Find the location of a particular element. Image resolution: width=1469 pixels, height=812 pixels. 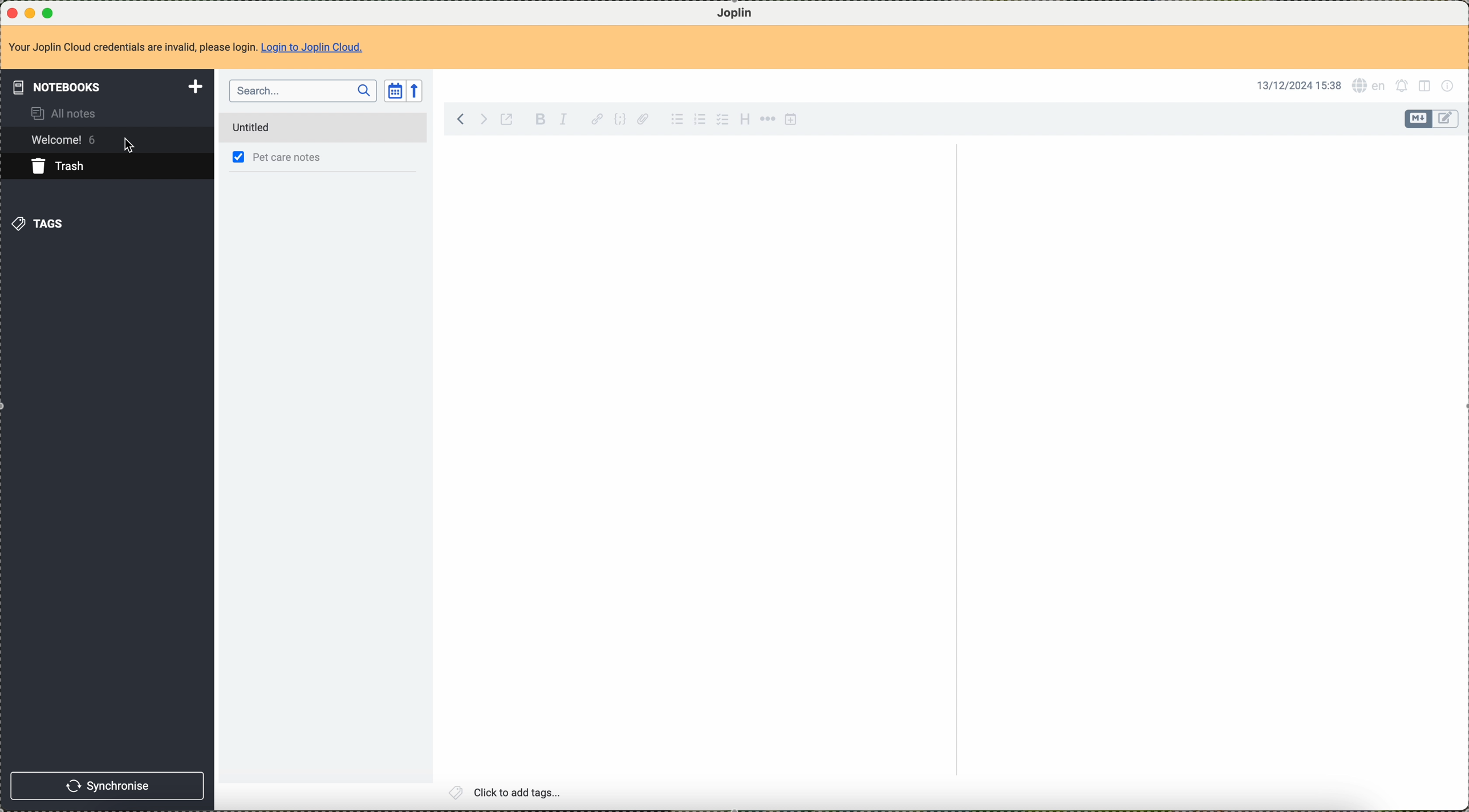

set alarm is located at coordinates (1402, 88).